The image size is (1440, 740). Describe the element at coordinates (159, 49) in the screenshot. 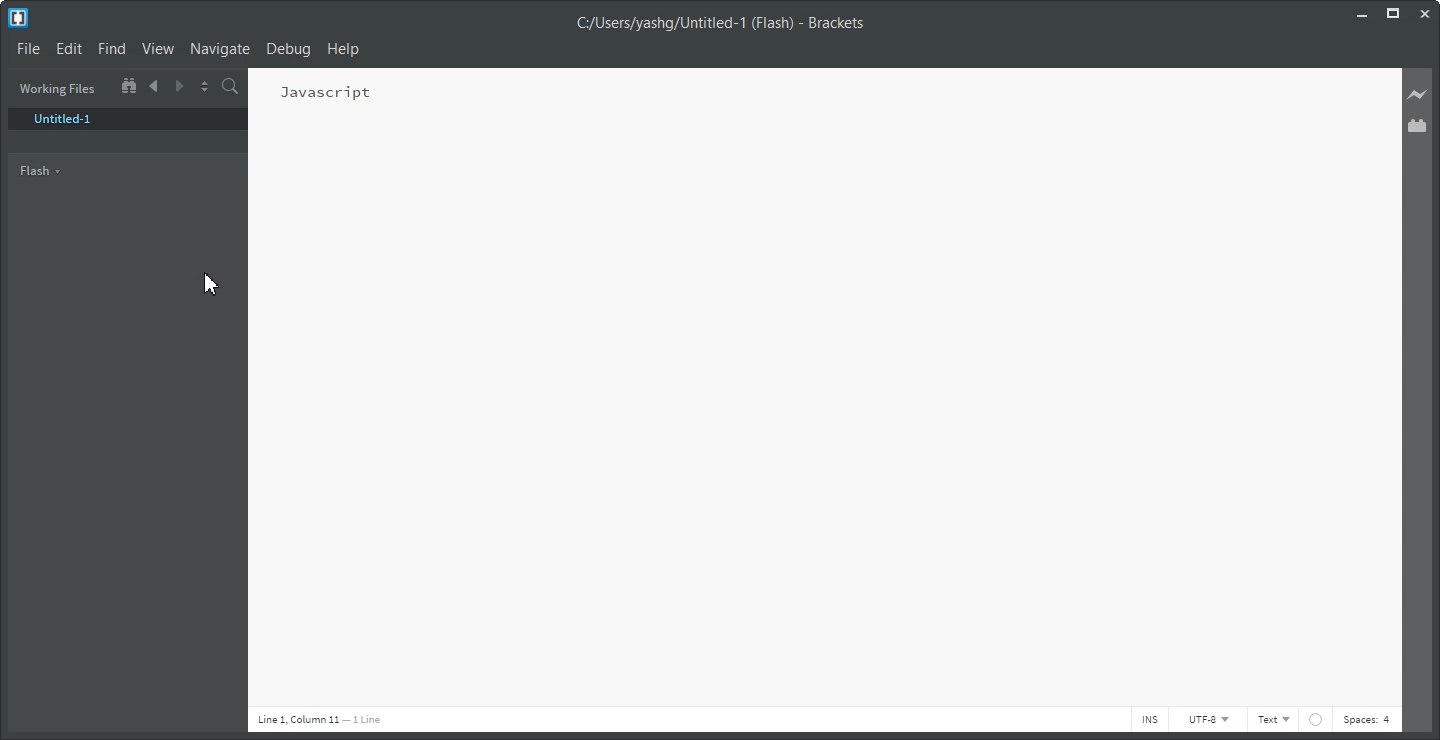

I see `View` at that location.